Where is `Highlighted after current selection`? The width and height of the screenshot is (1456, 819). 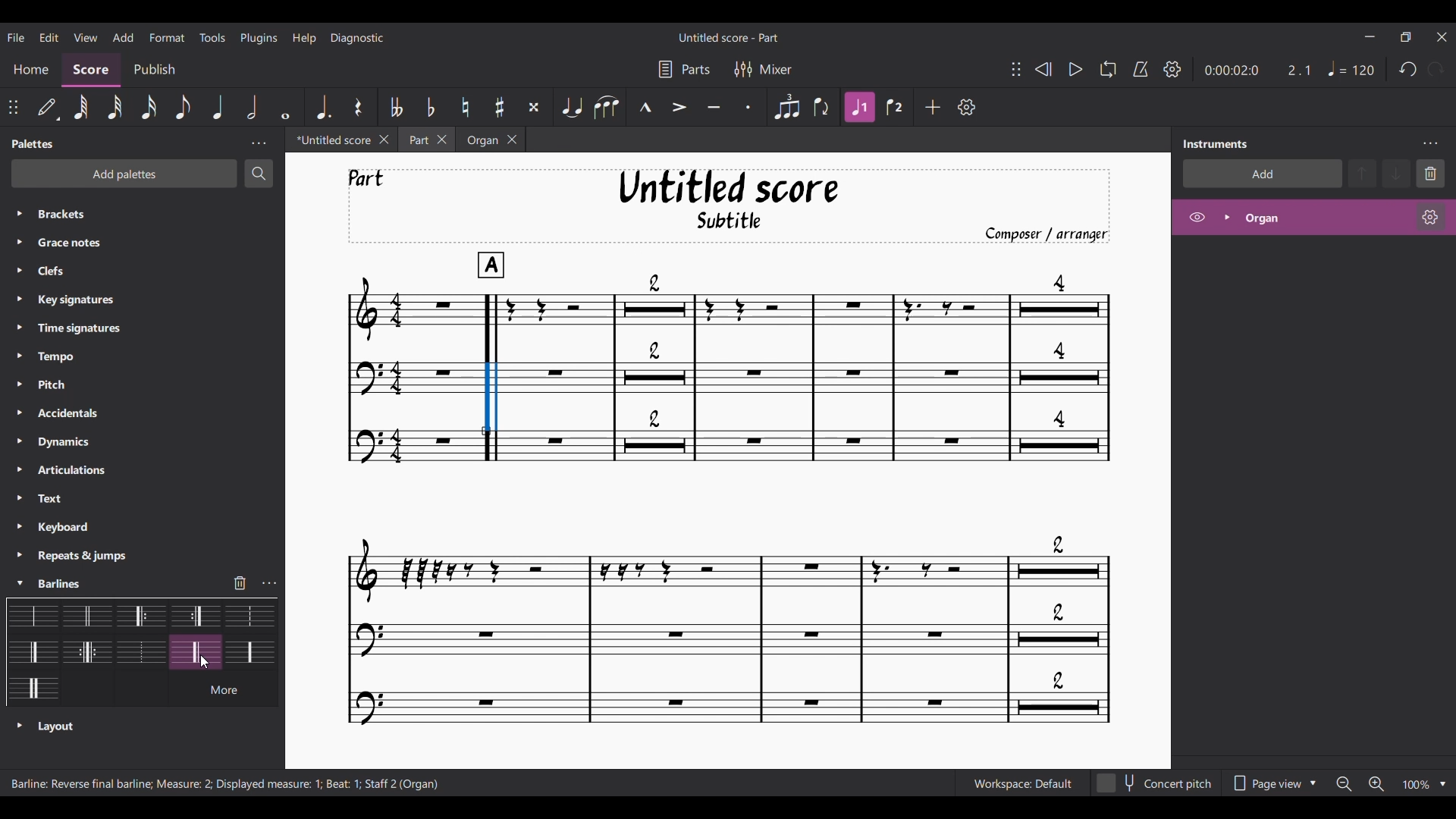
Highlighted after current selection is located at coordinates (859, 108).